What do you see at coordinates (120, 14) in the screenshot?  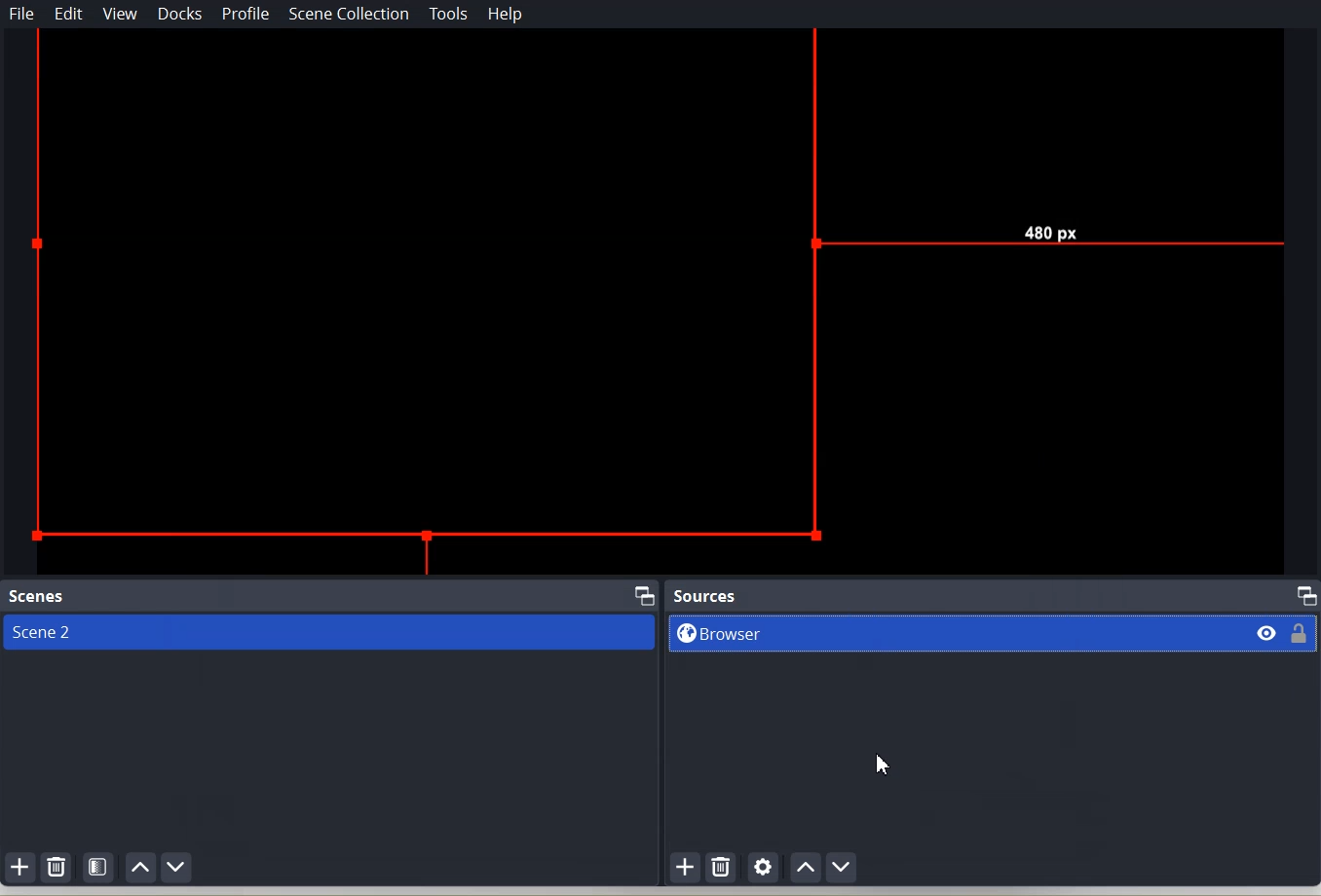 I see `View` at bounding box center [120, 14].